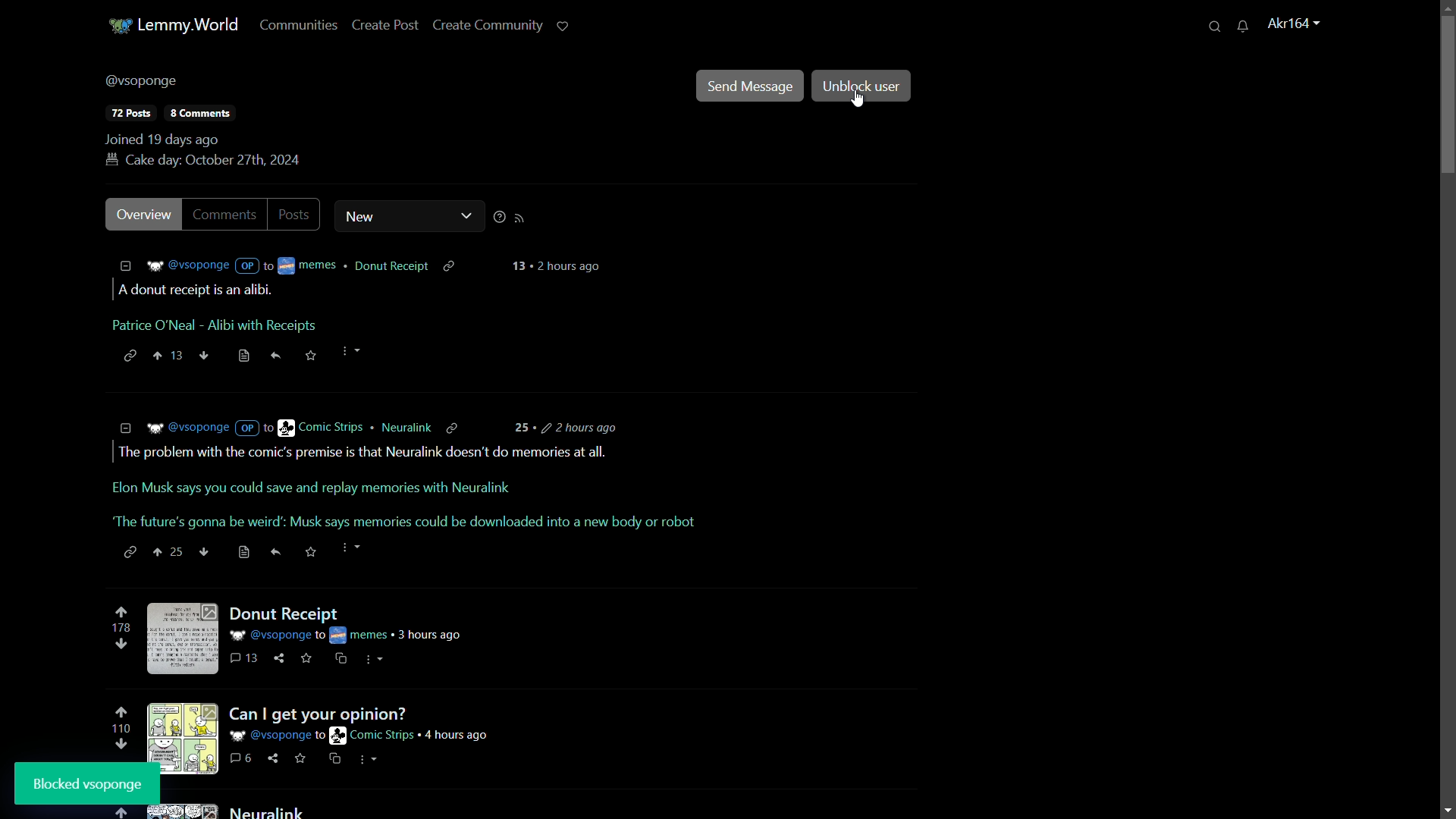  Describe the element at coordinates (563, 27) in the screenshot. I see `support lemmy.world` at that location.